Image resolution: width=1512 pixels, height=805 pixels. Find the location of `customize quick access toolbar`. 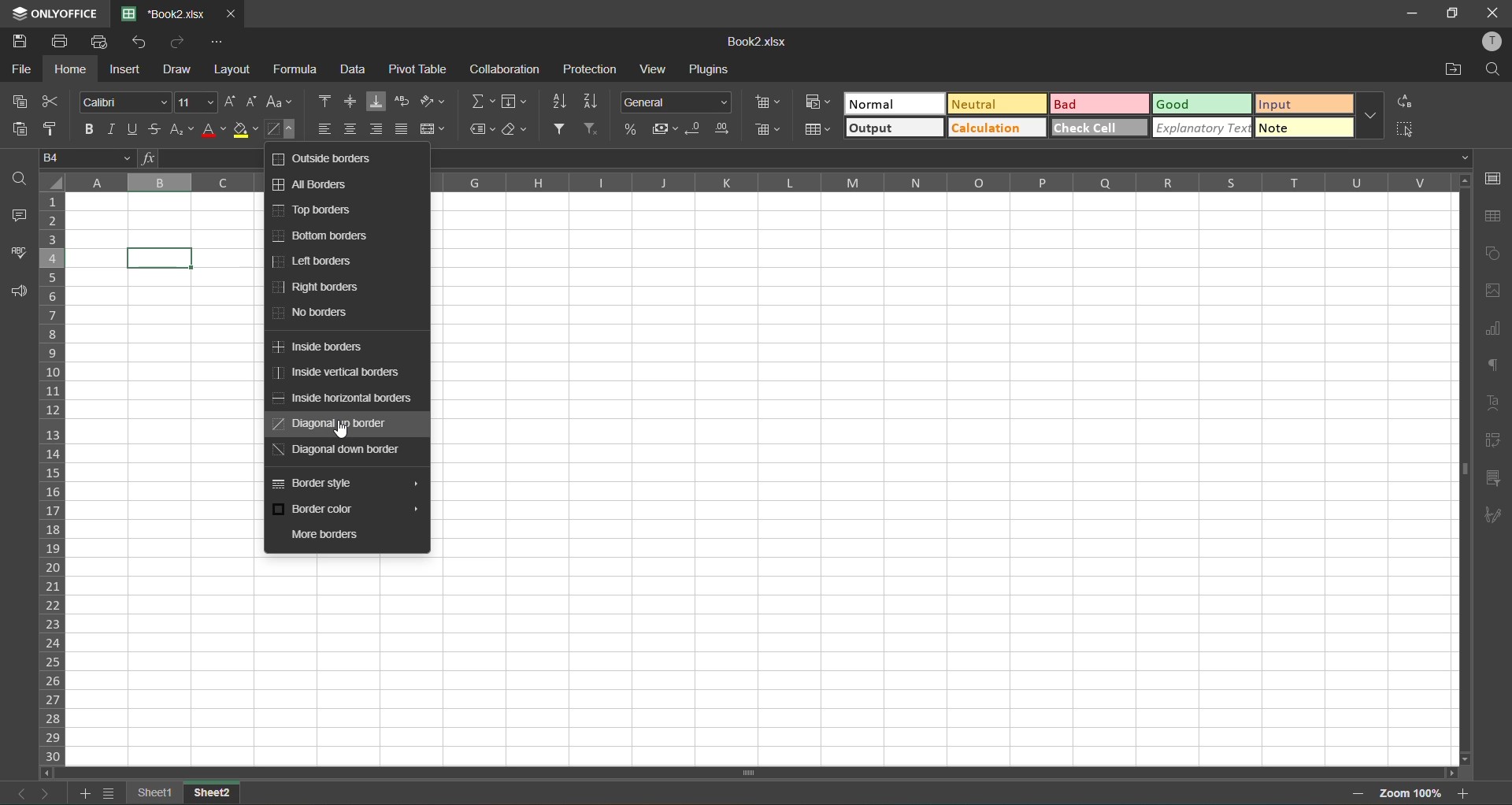

customize quick access toolbar is located at coordinates (223, 43).